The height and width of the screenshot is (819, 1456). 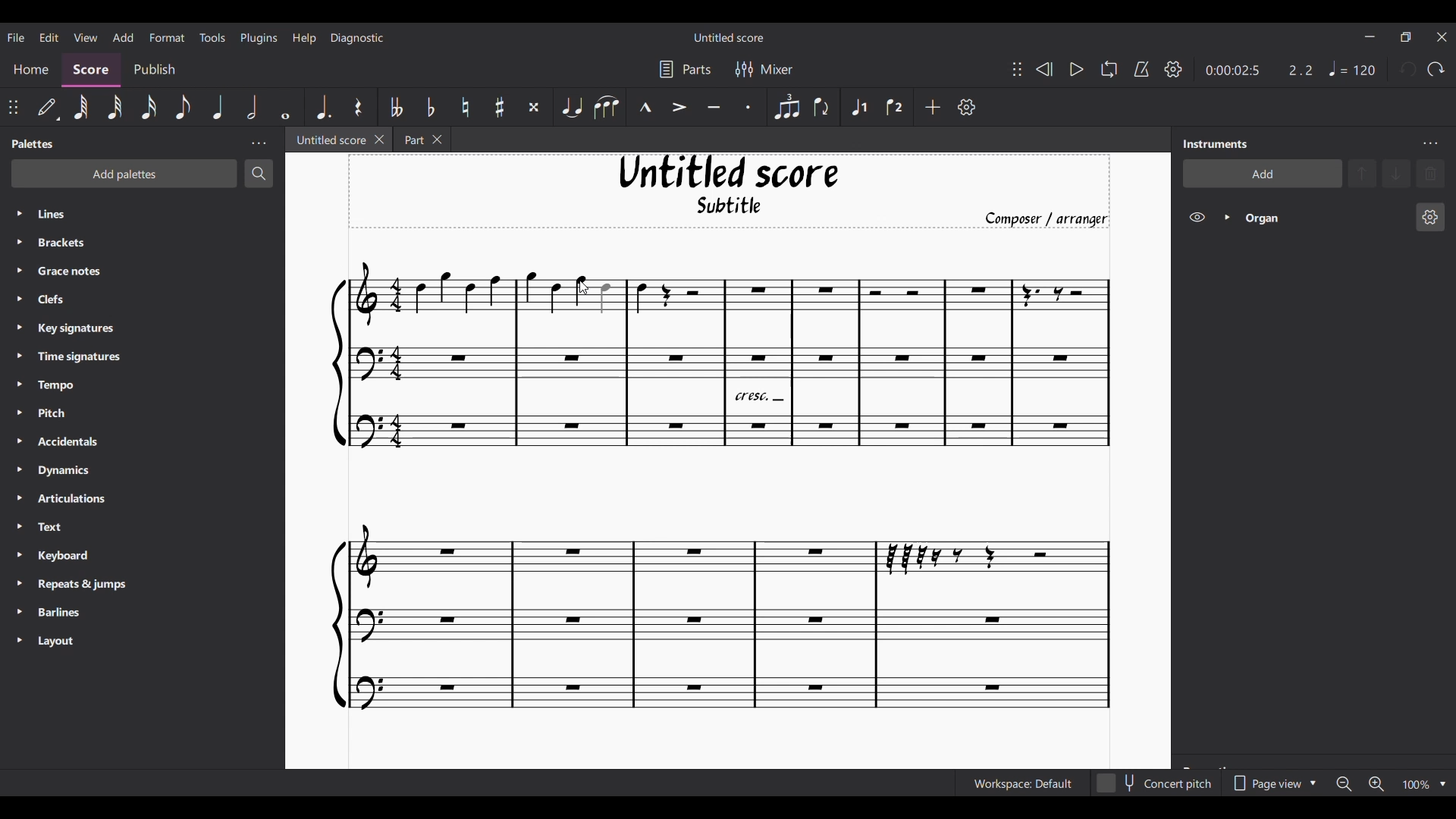 What do you see at coordinates (686, 69) in the screenshot?
I see `Parts settings` at bounding box center [686, 69].